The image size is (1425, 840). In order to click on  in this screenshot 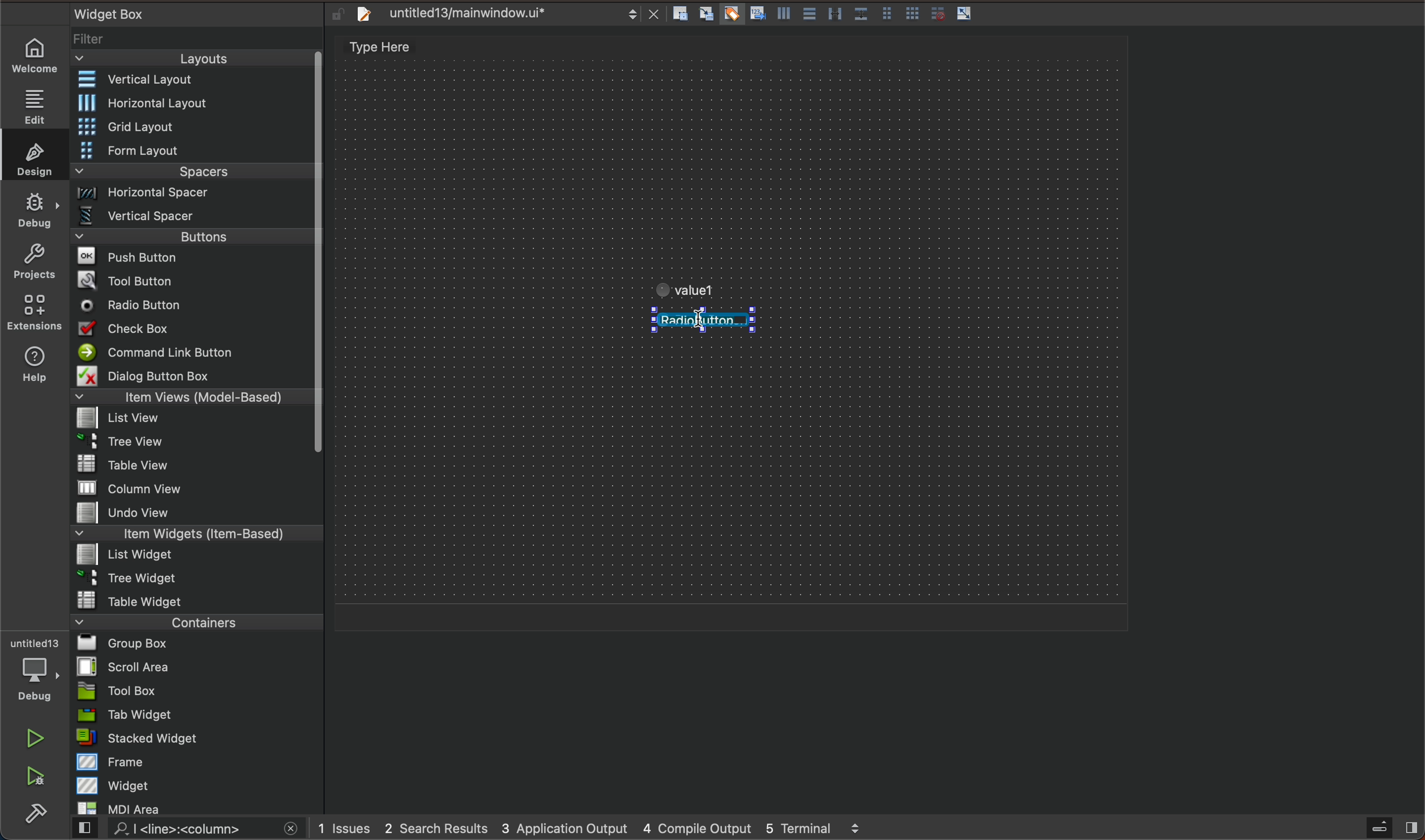, I will do `click(194, 128)`.